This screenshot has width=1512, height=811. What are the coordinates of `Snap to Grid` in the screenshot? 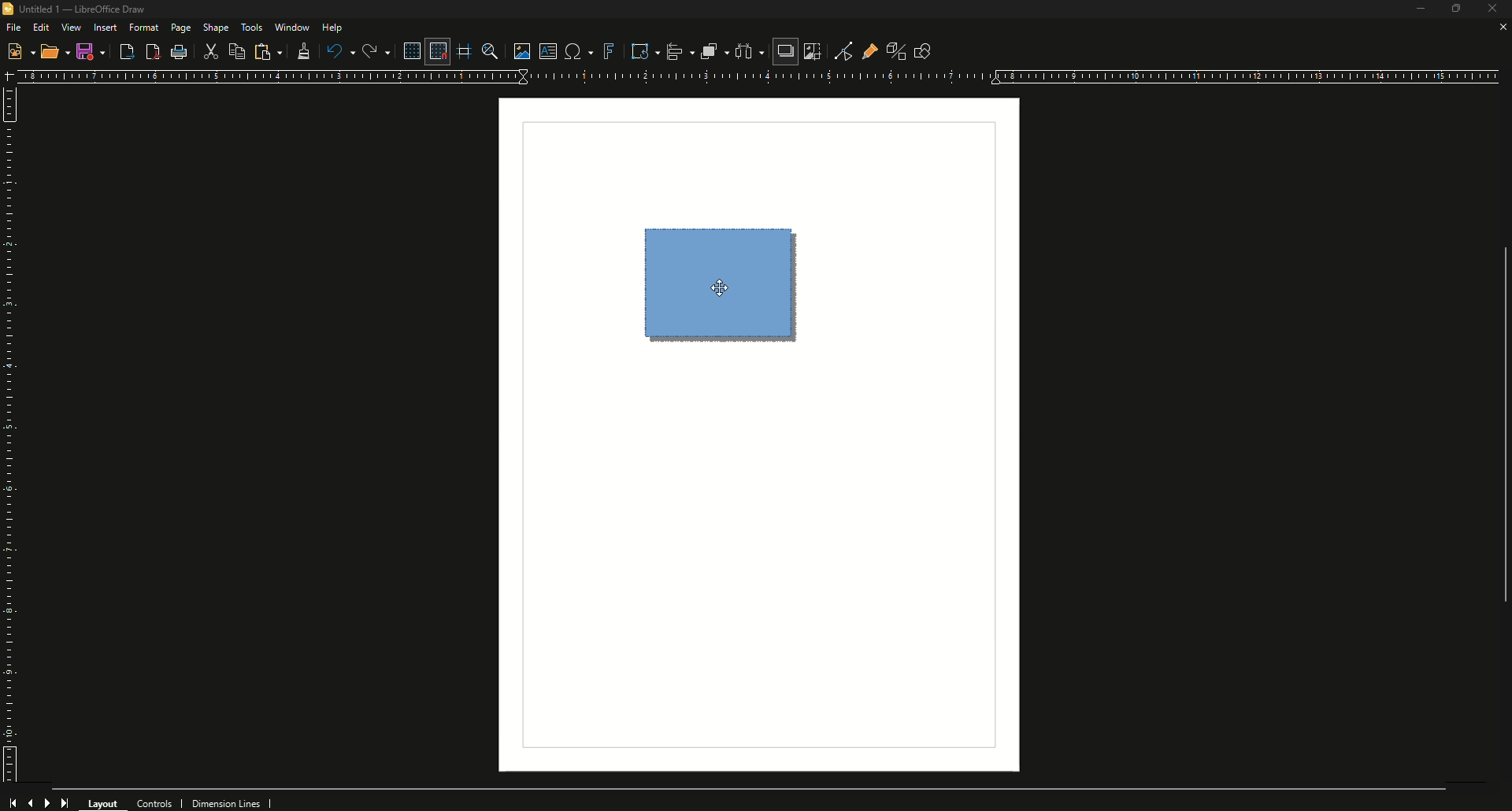 It's located at (436, 51).